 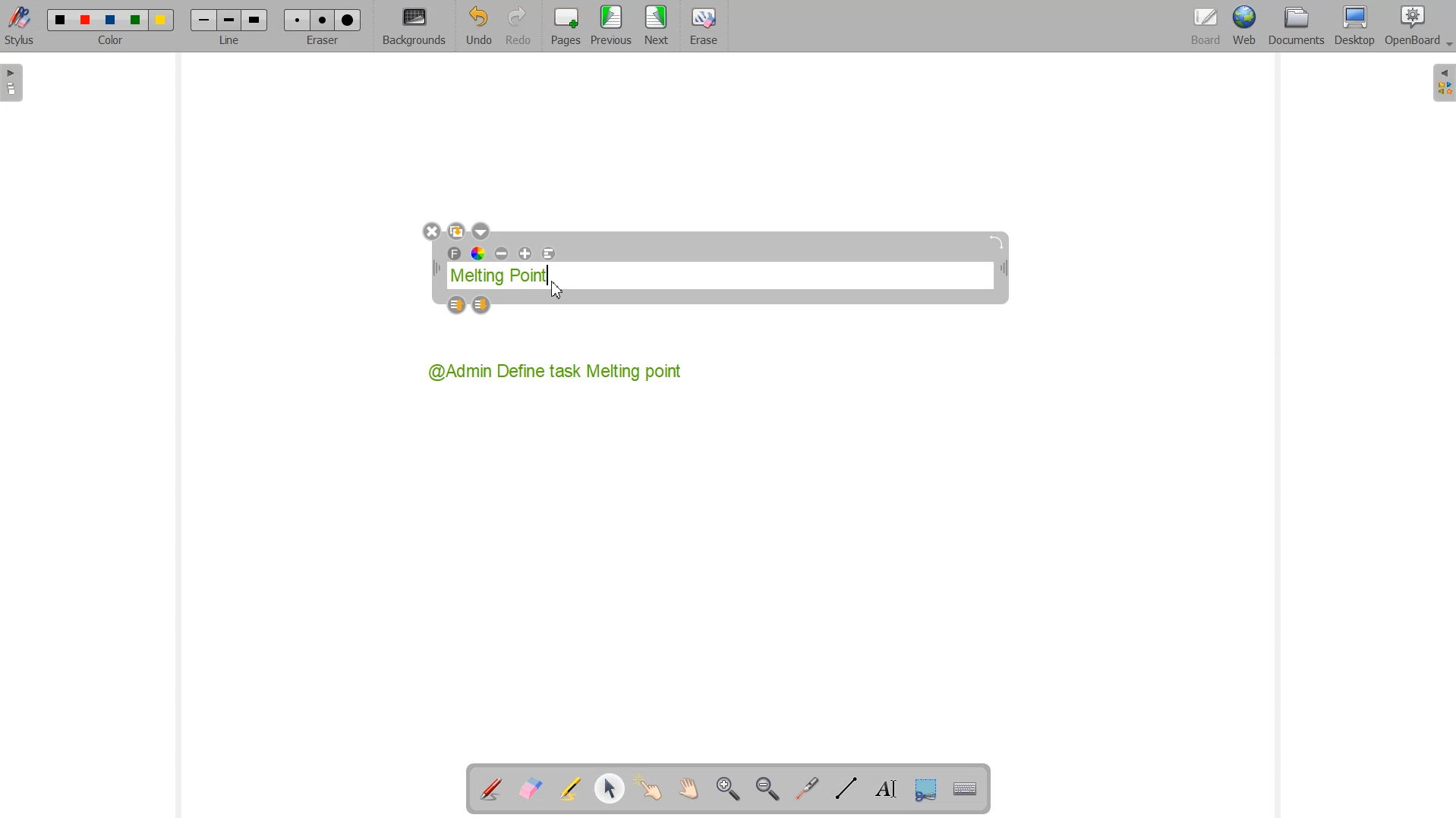 What do you see at coordinates (1356, 27) in the screenshot?
I see `Desktop` at bounding box center [1356, 27].